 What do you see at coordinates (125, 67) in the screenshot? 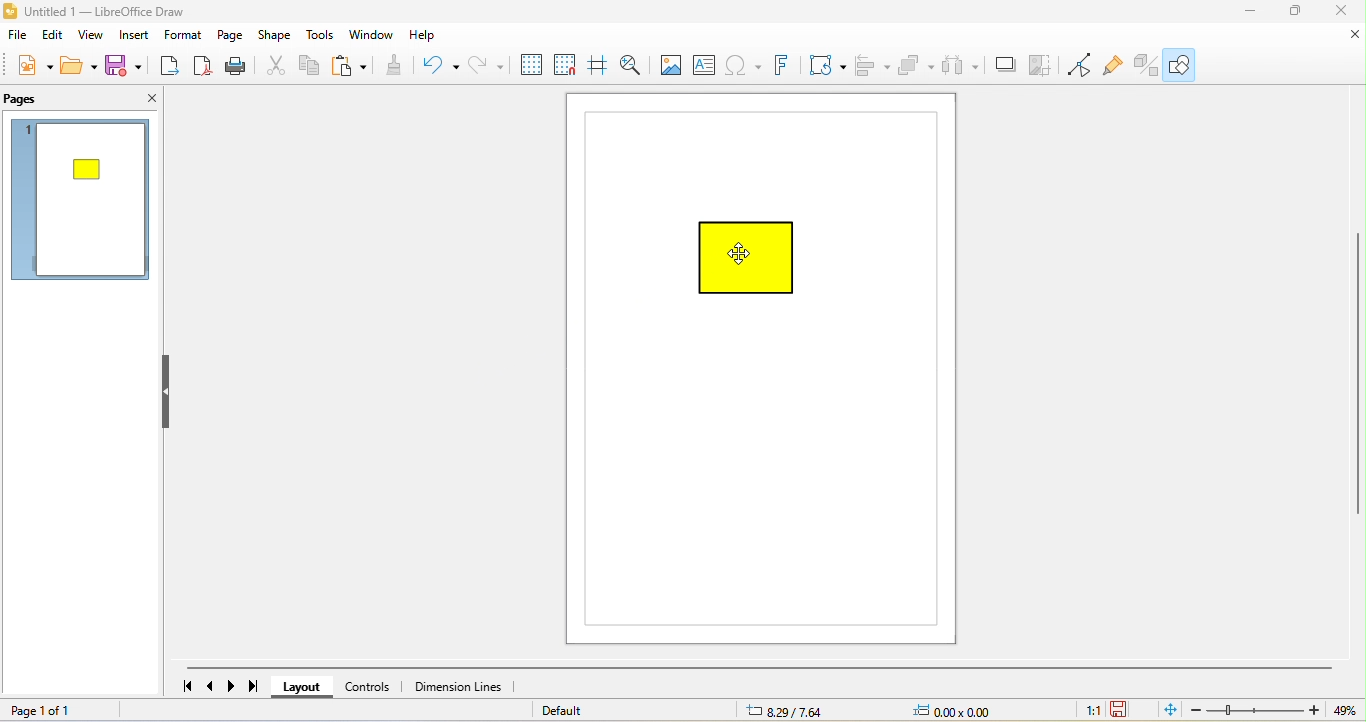
I see `save` at bounding box center [125, 67].